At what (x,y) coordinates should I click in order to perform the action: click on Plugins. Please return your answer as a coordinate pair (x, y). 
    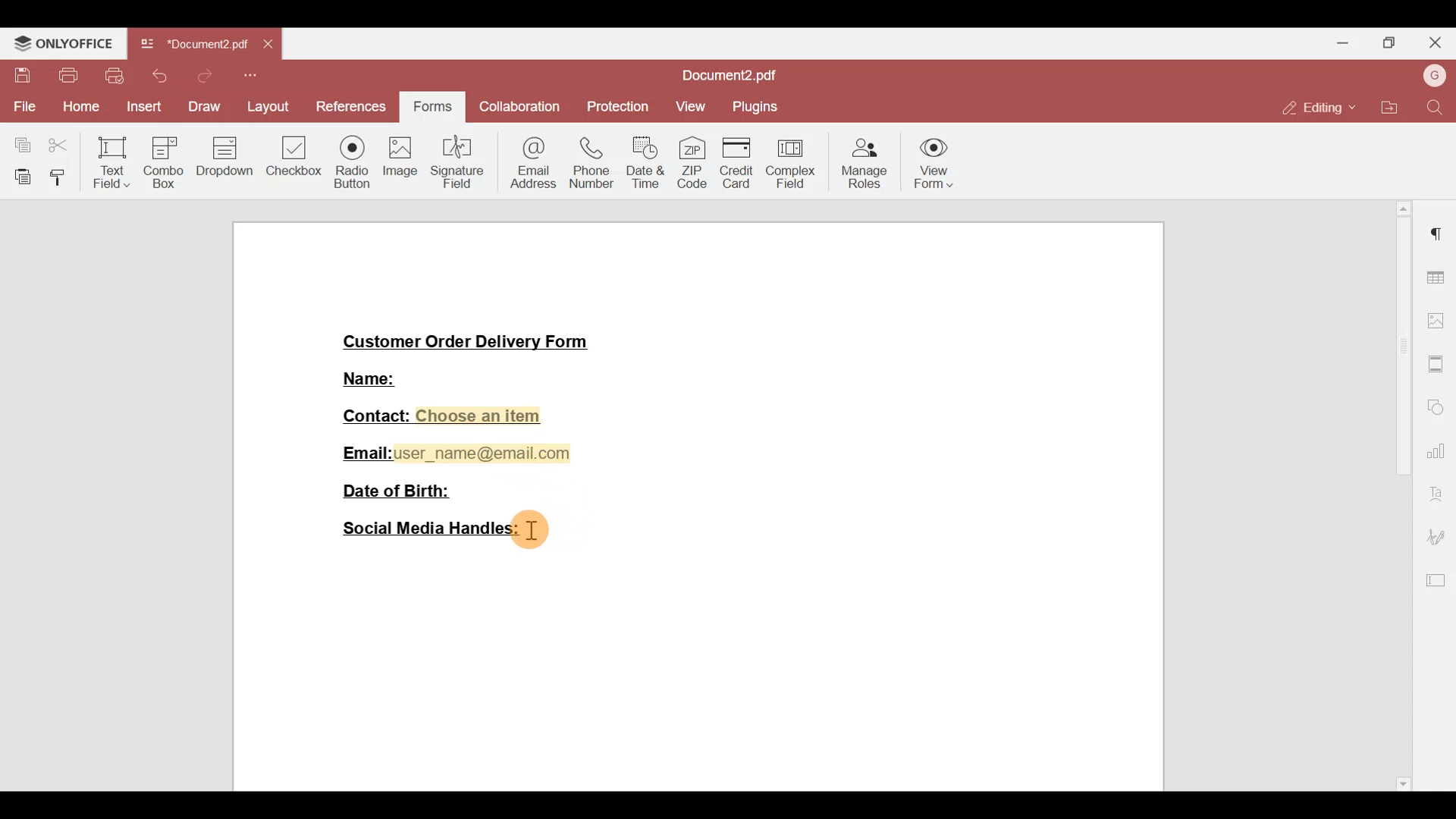
    Looking at the image, I should click on (756, 107).